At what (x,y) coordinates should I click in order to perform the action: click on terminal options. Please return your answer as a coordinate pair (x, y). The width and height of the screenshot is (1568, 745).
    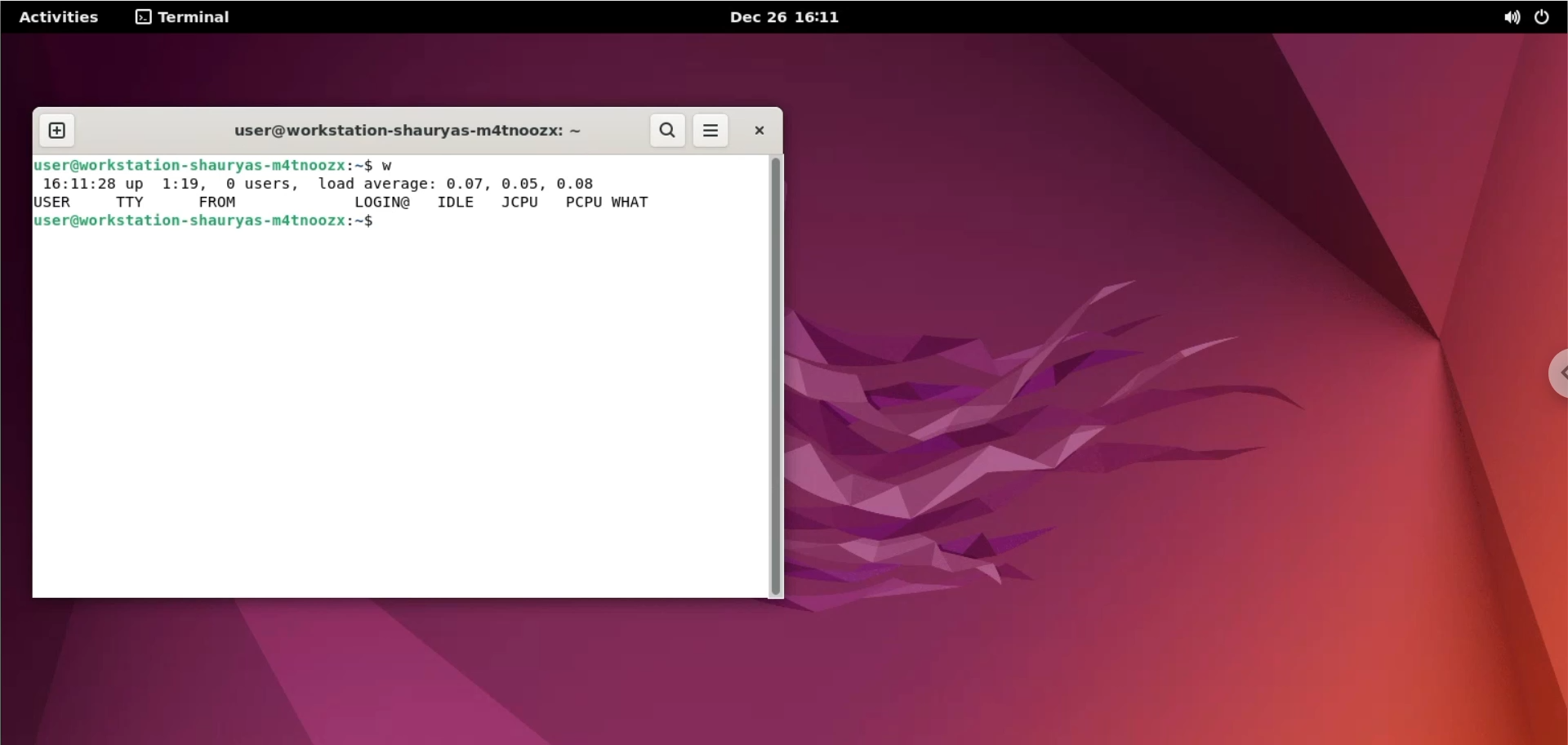
    Looking at the image, I should click on (189, 19).